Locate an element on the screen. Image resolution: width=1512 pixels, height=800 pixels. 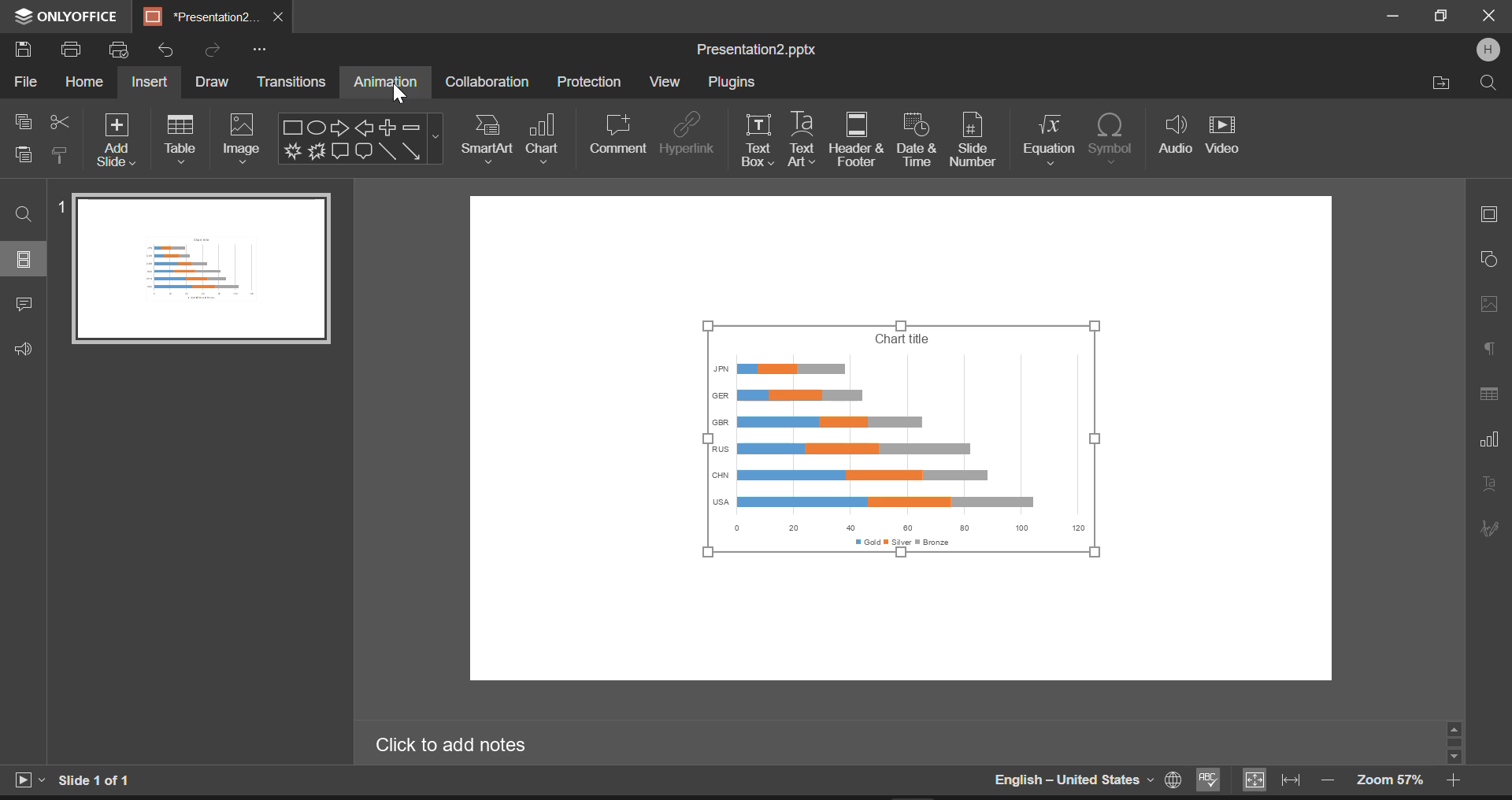
Slide 1 is located at coordinates (195, 268).